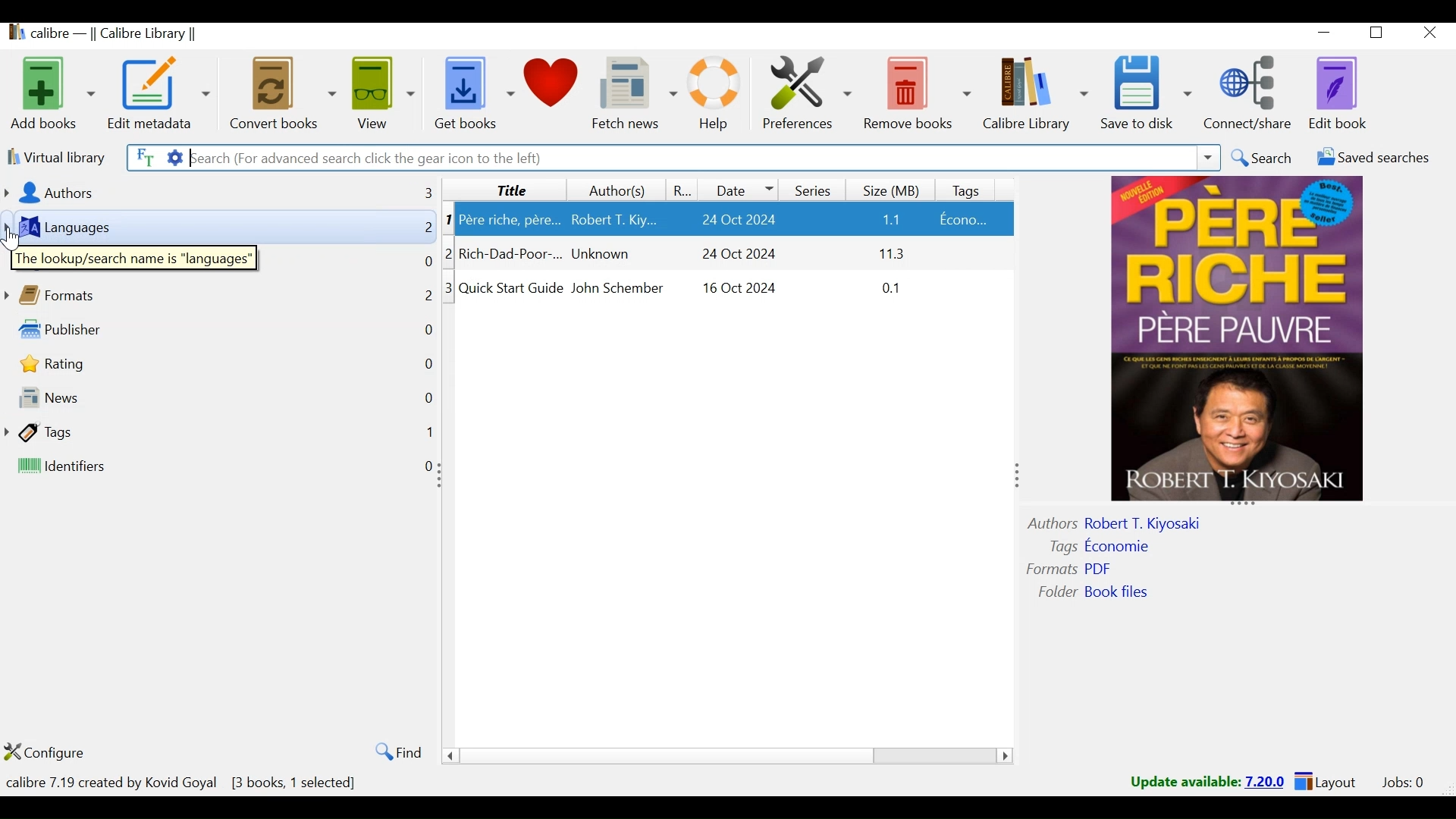 This screenshot has height=819, width=1456. I want to click on find, so click(394, 752).